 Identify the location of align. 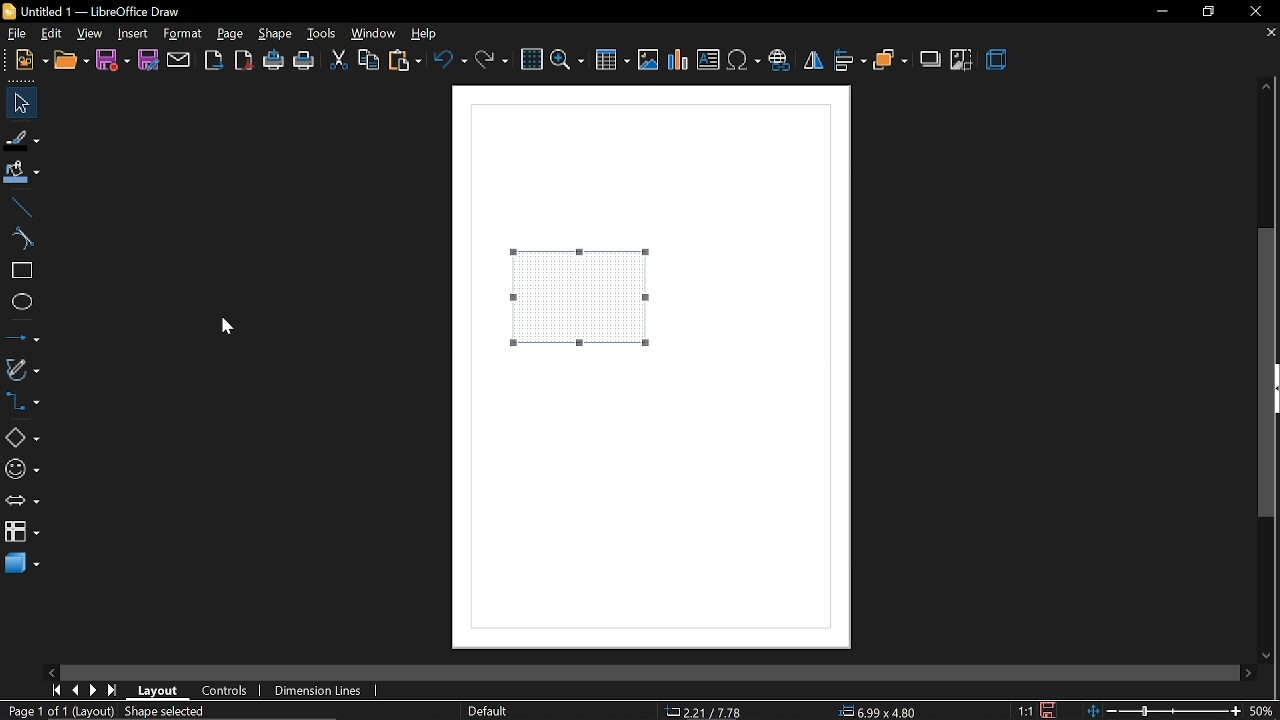
(850, 62).